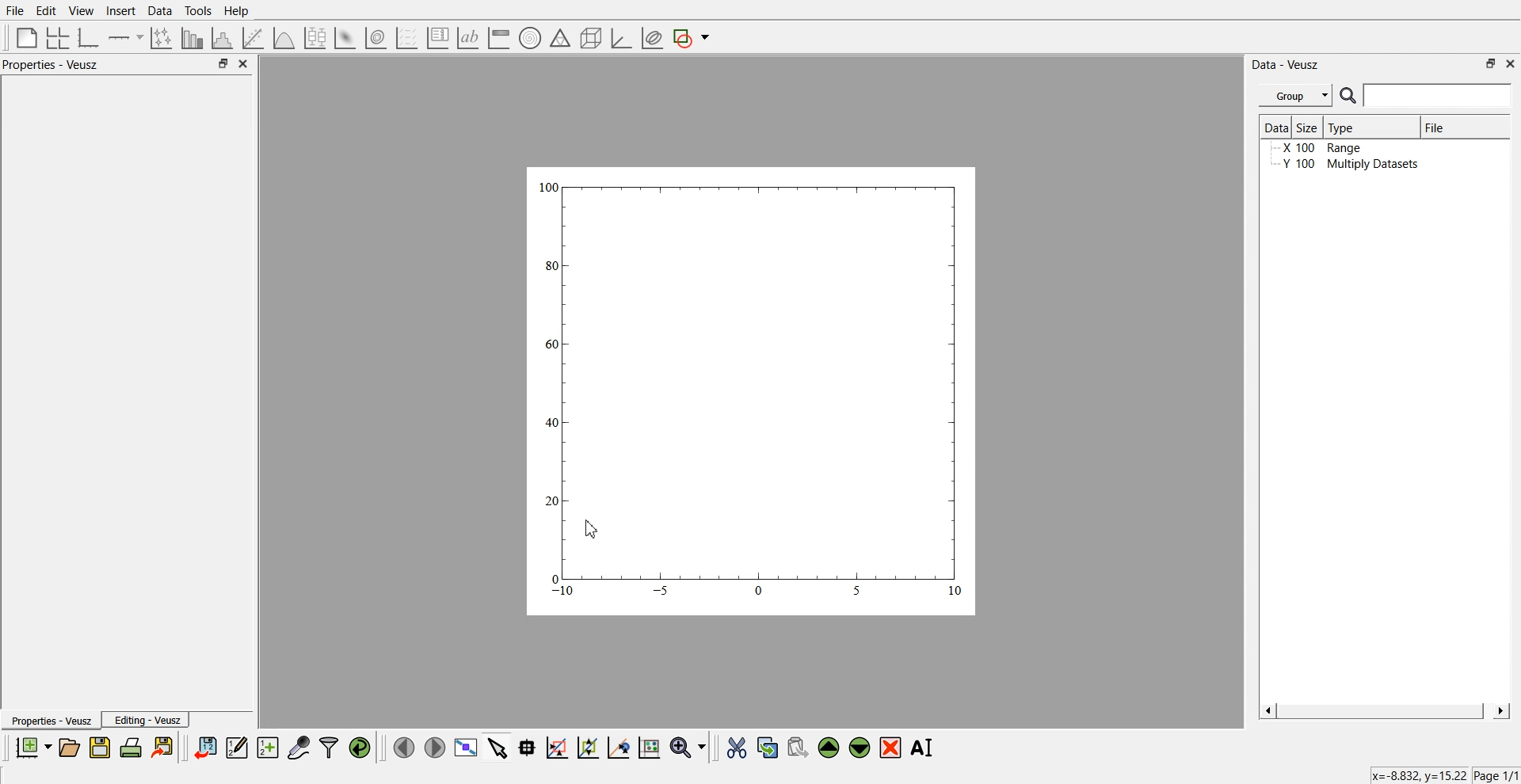 The height and width of the screenshot is (784, 1521). I want to click on minimise or maximise, so click(223, 64).